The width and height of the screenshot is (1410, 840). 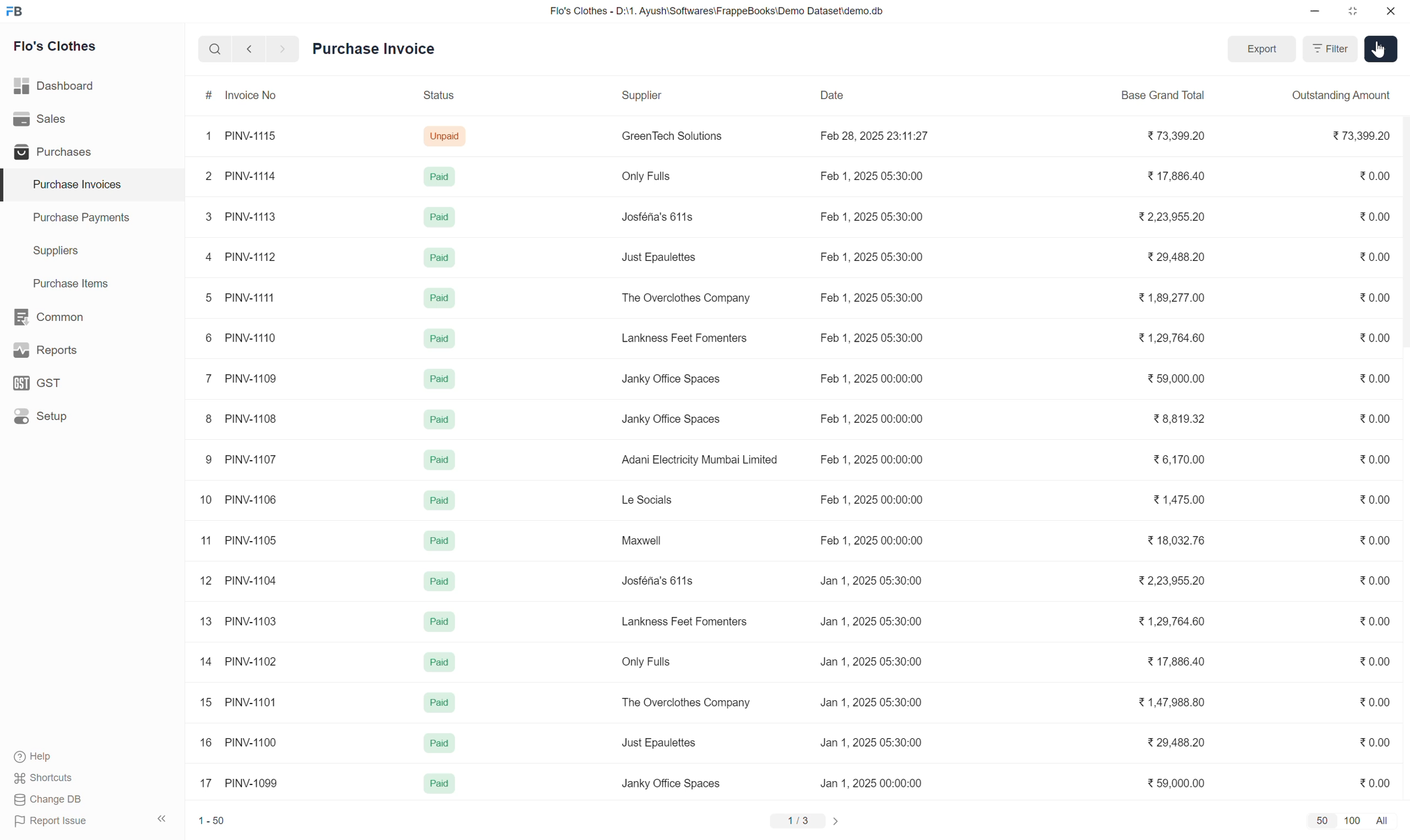 What do you see at coordinates (55, 83) in the screenshot?
I see `Dashboard` at bounding box center [55, 83].